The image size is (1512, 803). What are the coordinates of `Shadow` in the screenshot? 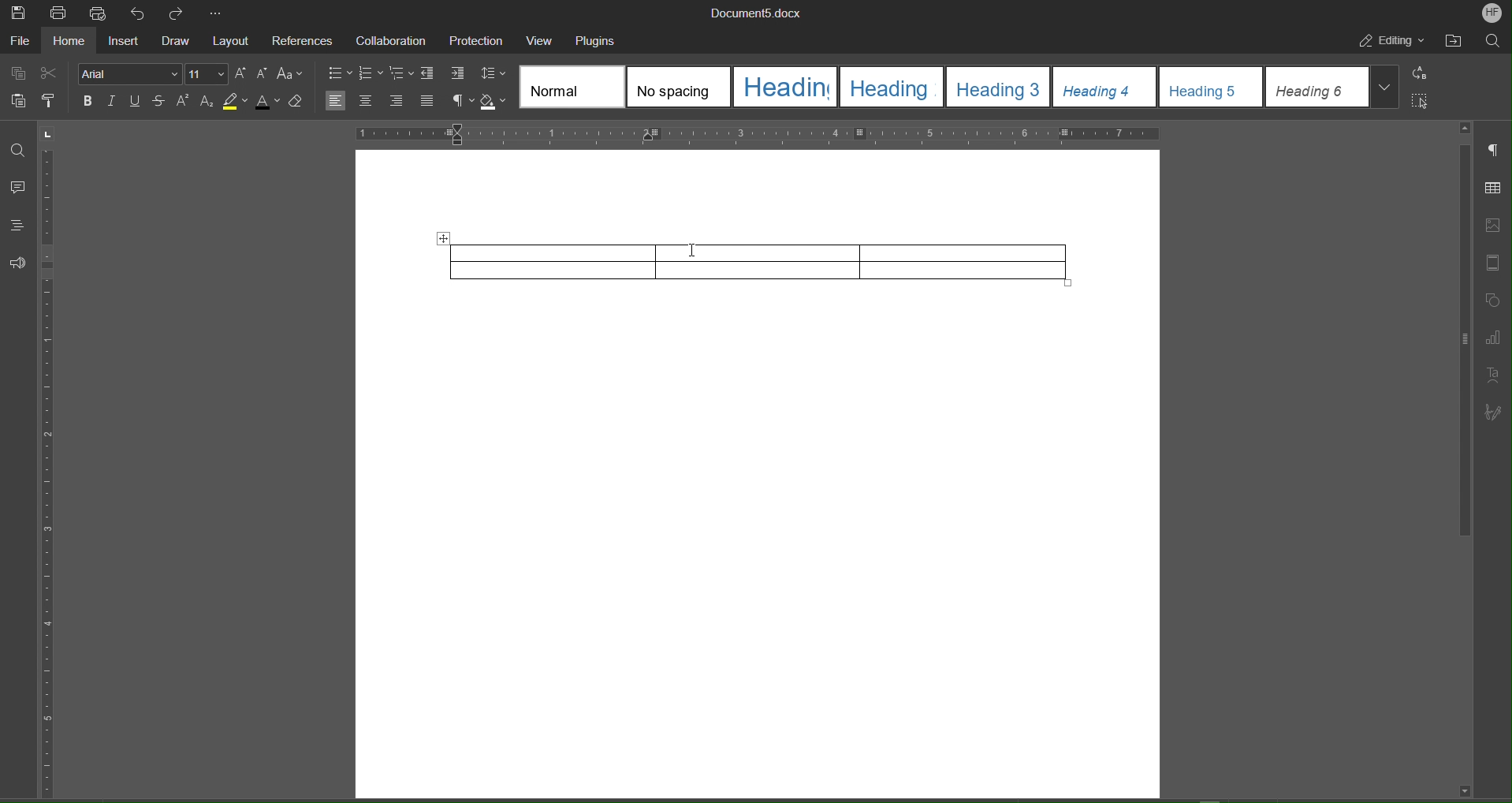 It's located at (496, 102).